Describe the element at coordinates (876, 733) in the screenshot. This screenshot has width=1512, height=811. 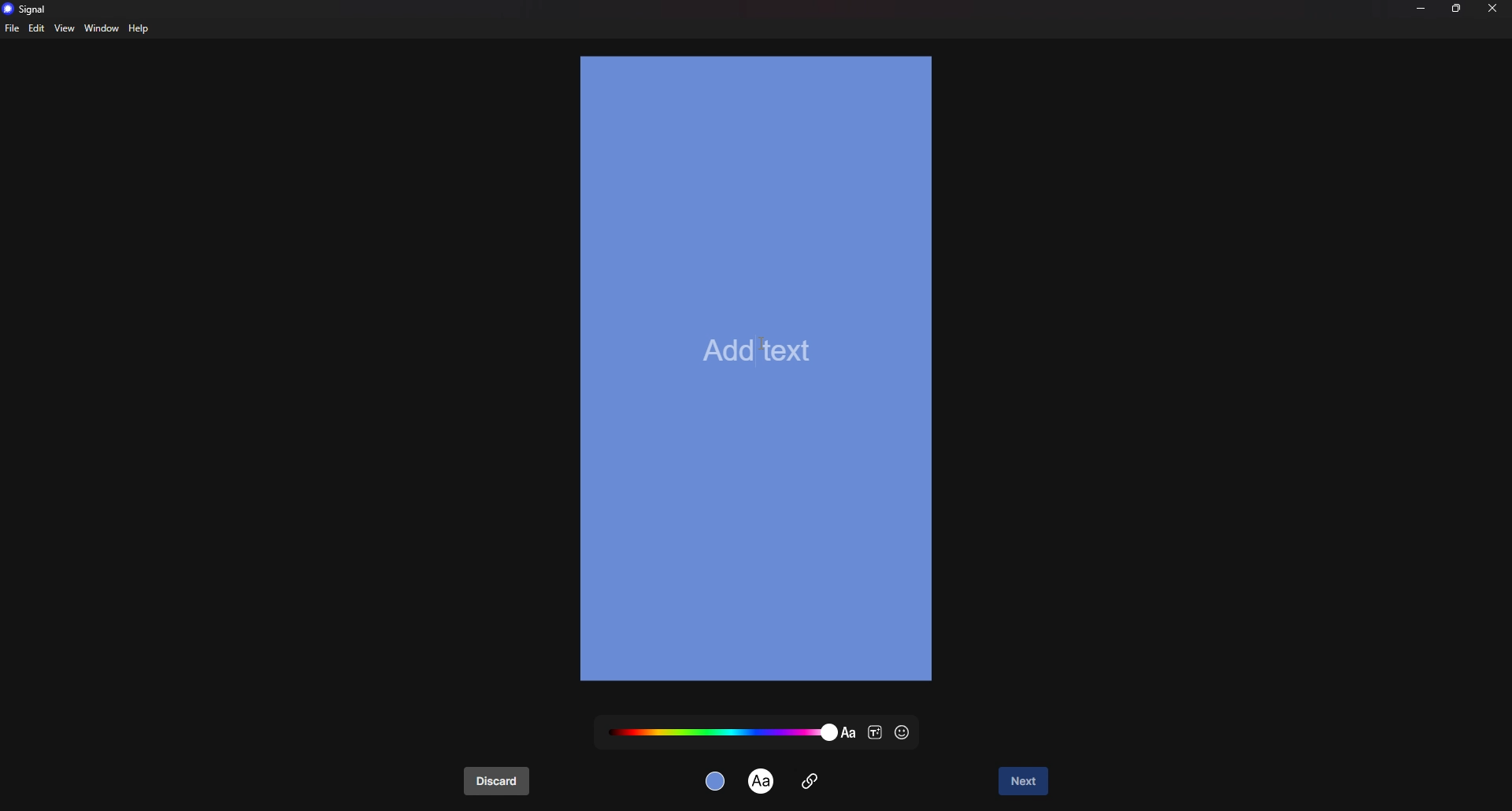
I see `text style` at that location.